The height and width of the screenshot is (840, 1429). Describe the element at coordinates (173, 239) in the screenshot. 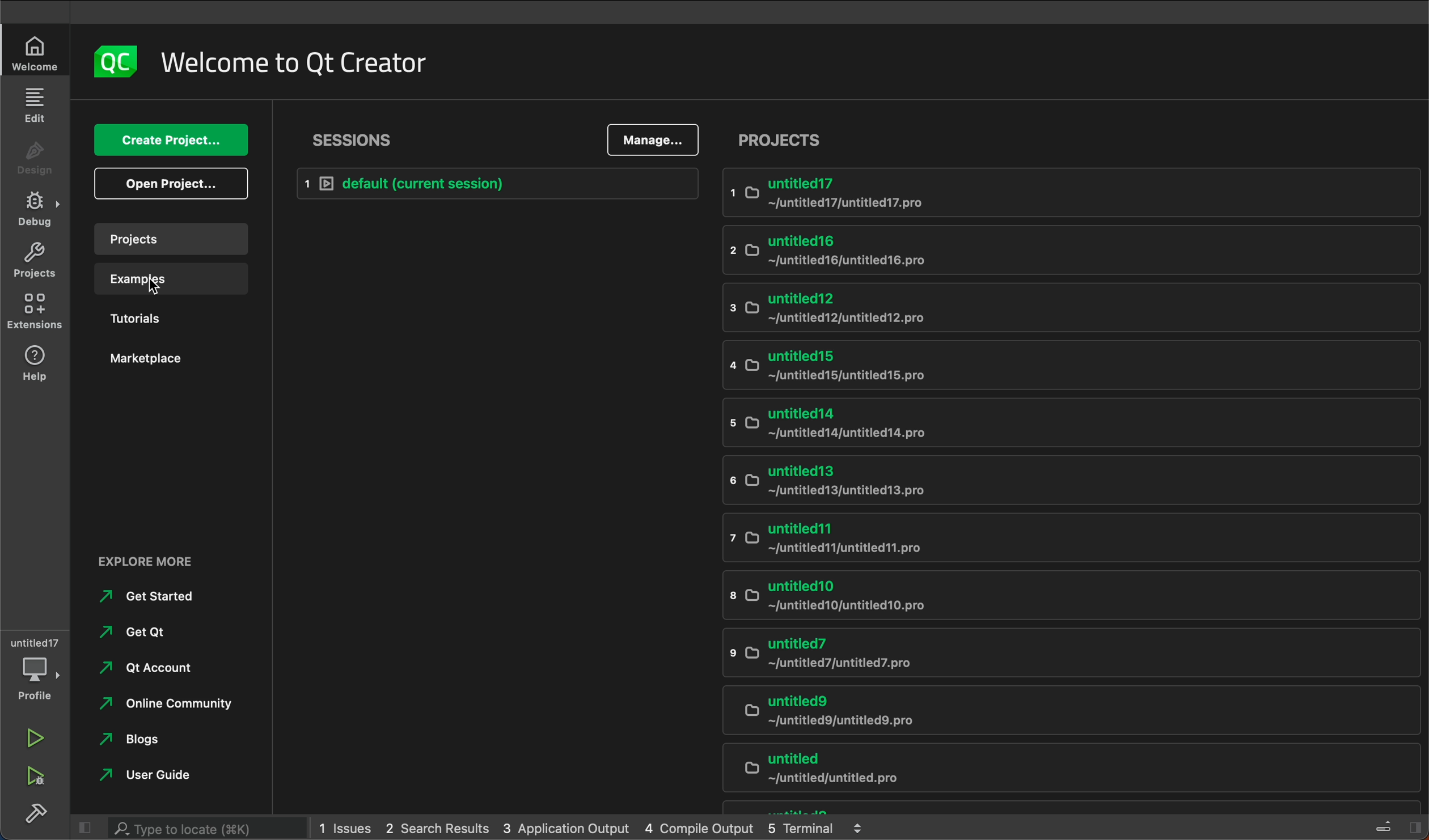

I see `projects` at that location.